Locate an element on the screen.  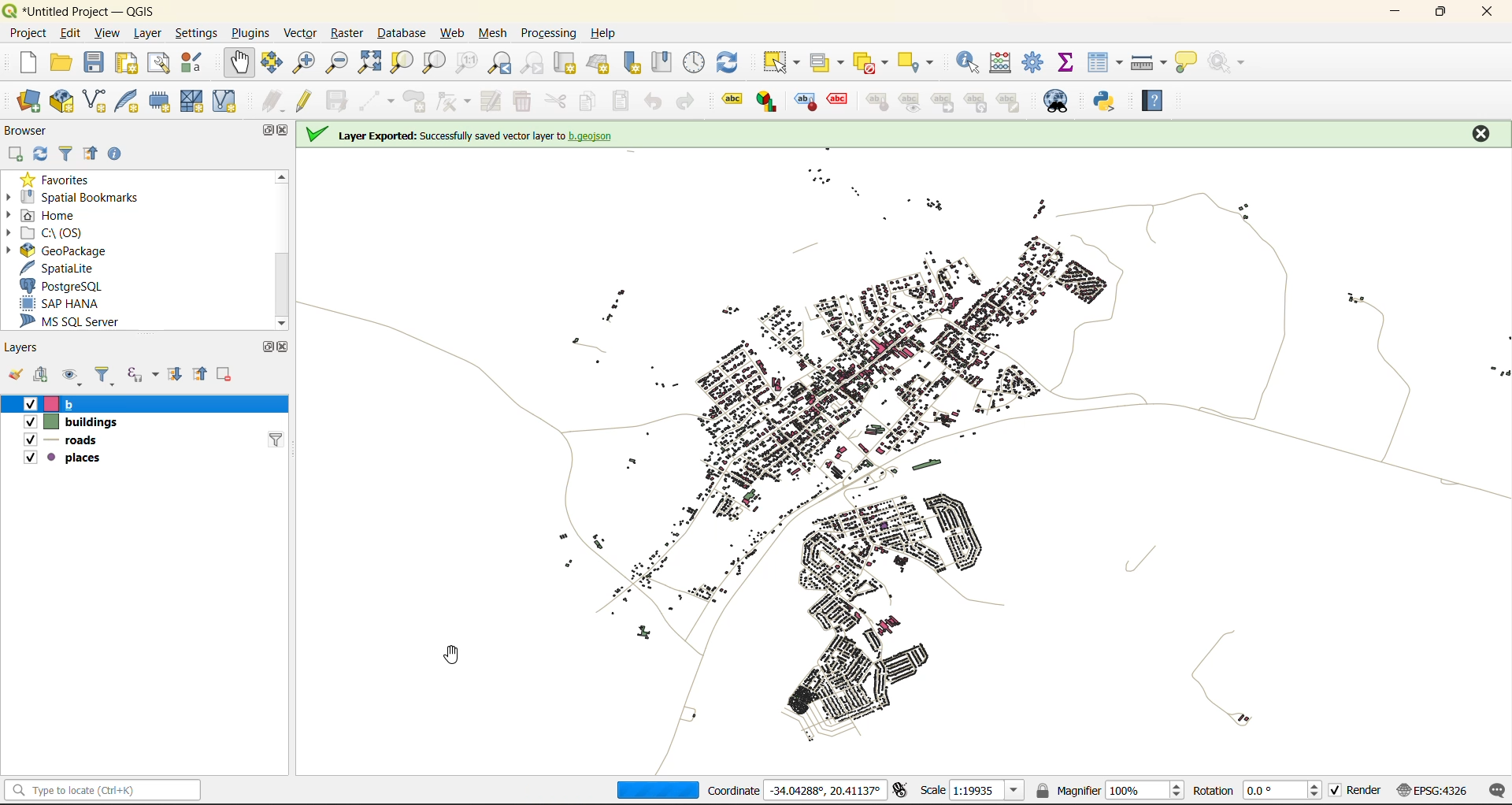
crs is located at coordinates (1435, 789).